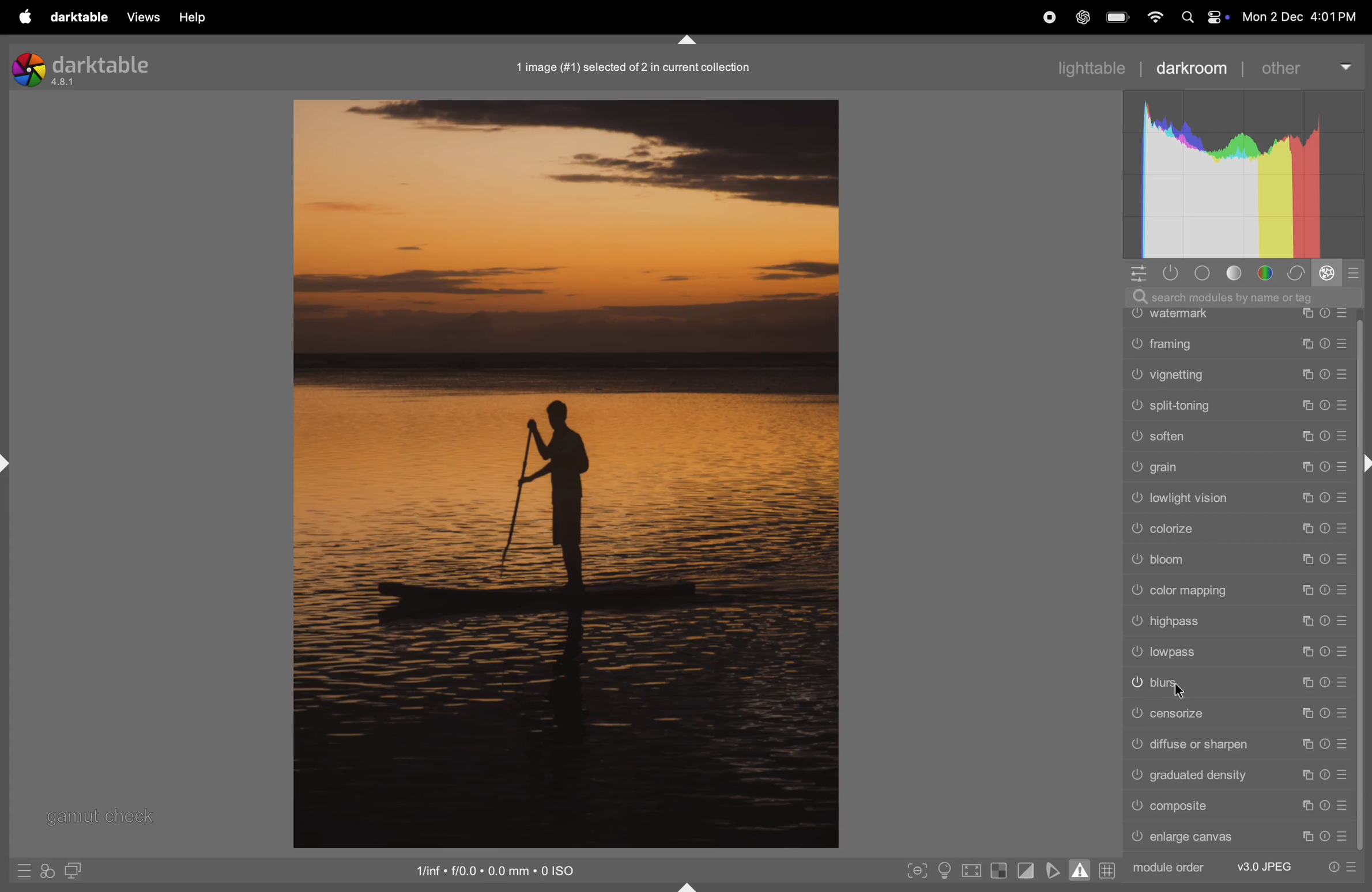  What do you see at coordinates (1000, 871) in the screenshot?
I see `toggle indication of raw exposure` at bounding box center [1000, 871].